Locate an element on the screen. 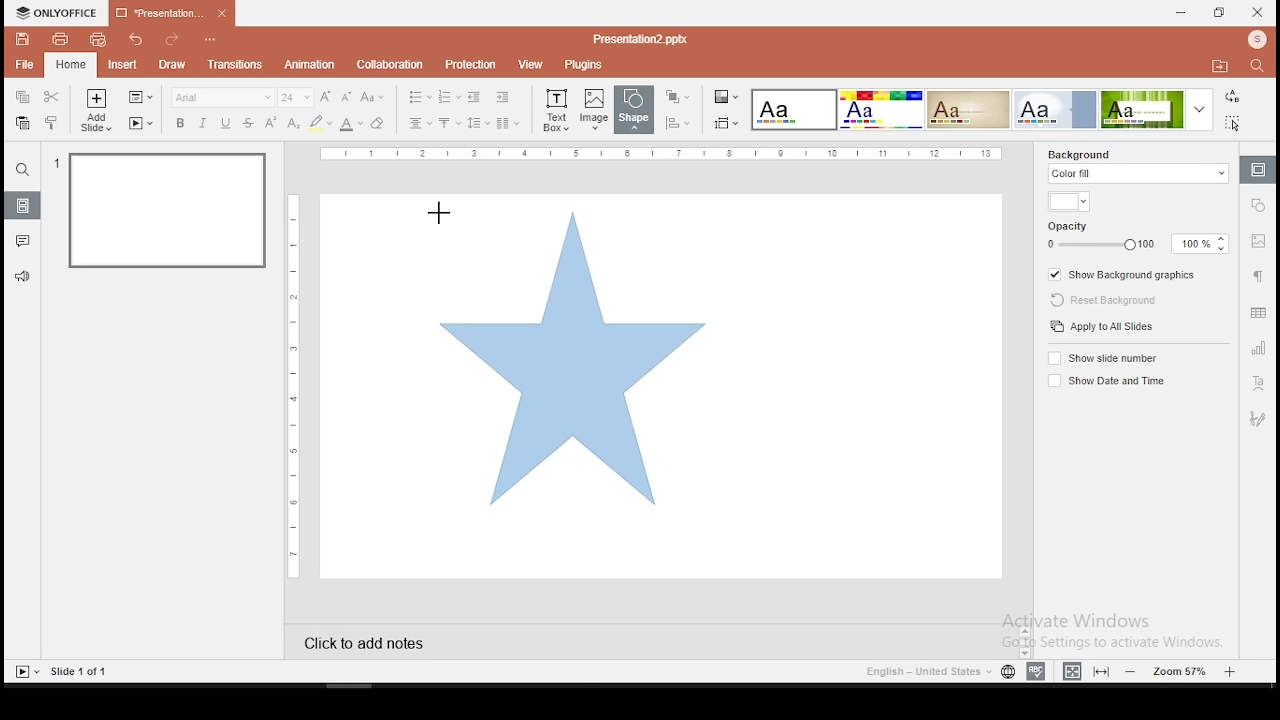 Image resolution: width=1280 pixels, height=720 pixels. columns is located at coordinates (506, 122).